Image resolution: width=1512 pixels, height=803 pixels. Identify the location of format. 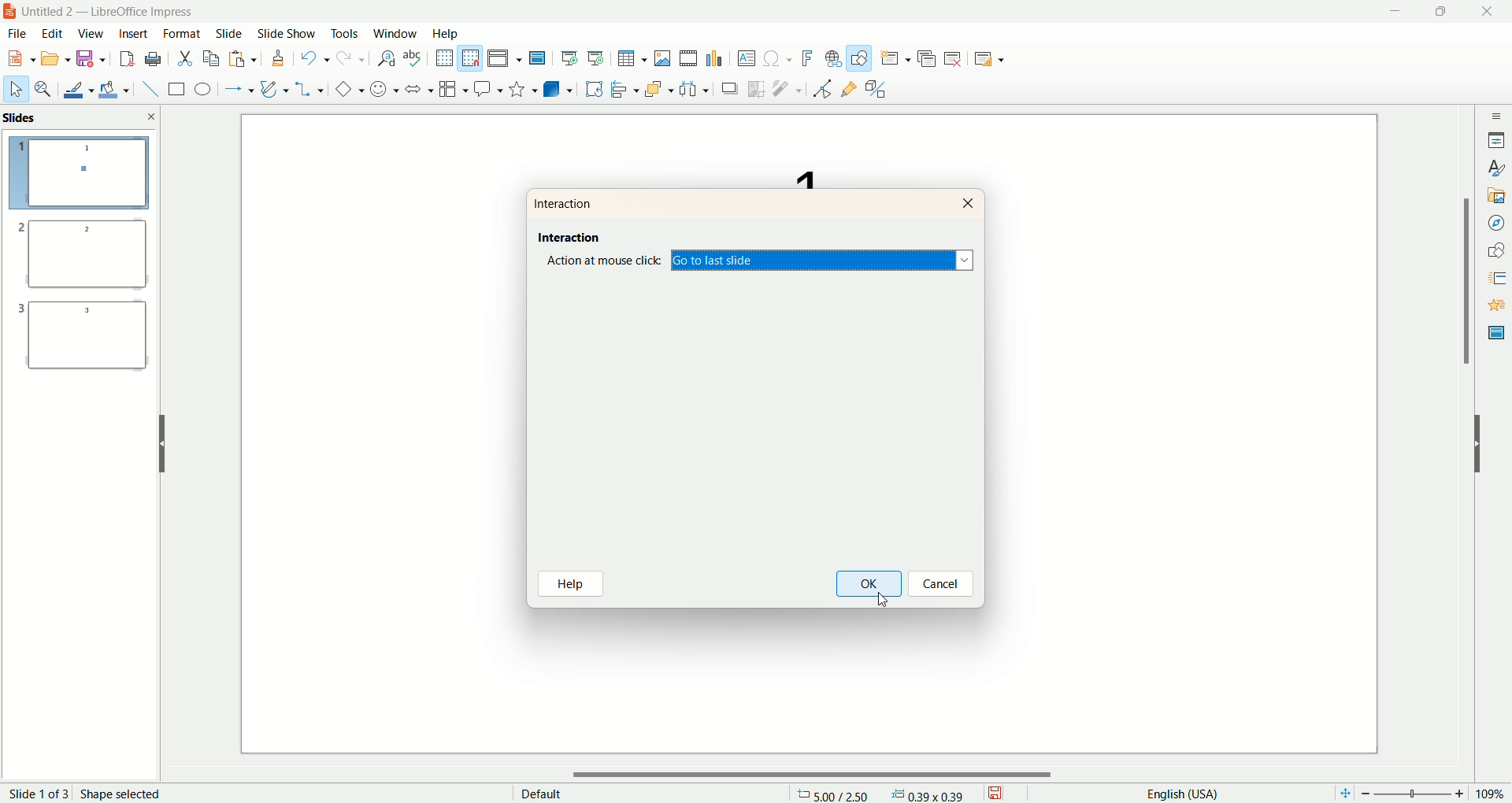
(183, 32).